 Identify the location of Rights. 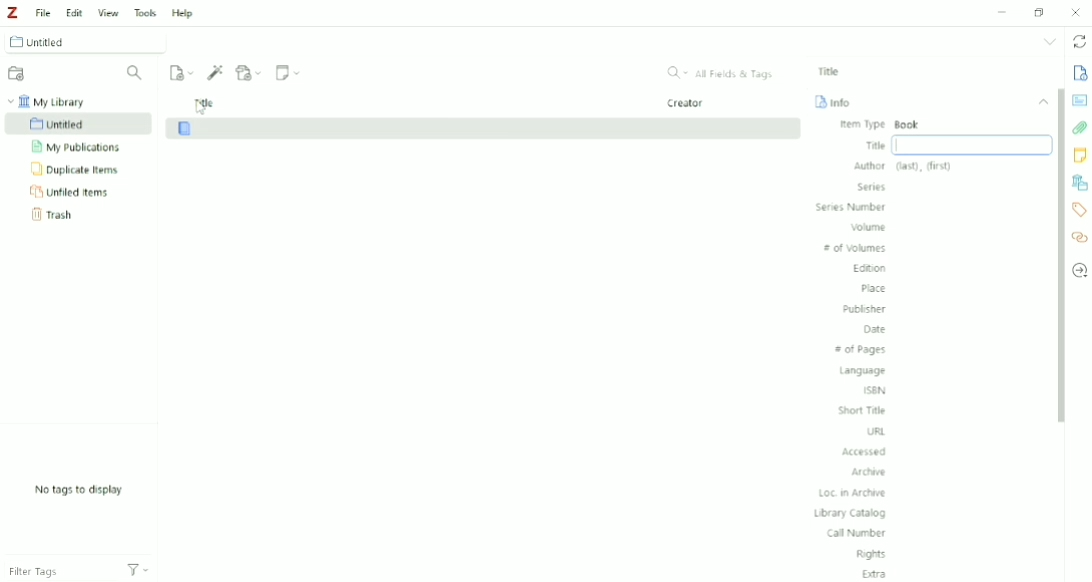
(873, 554).